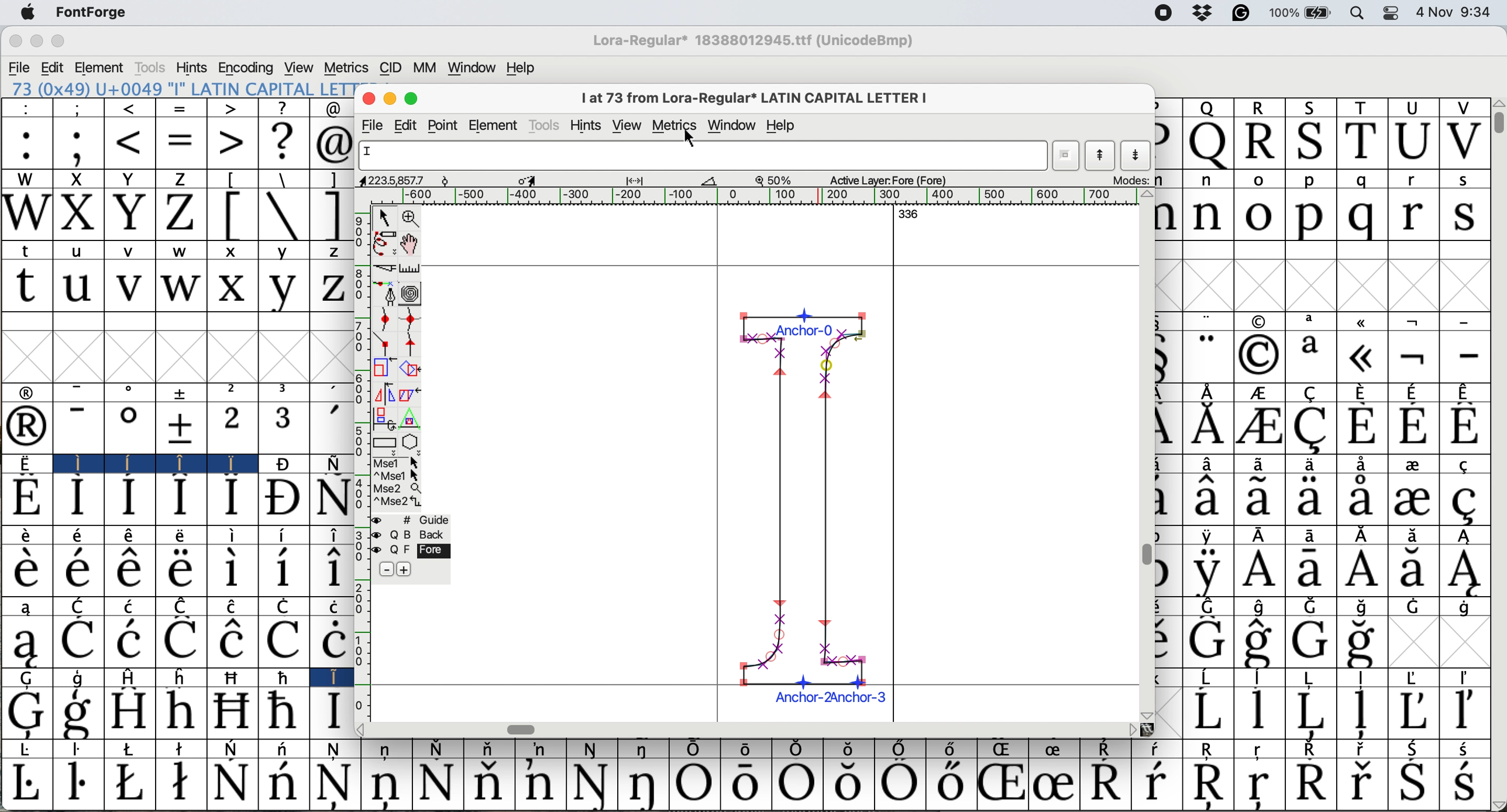 The height and width of the screenshot is (812, 1507). Describe the element at coordinates (1303, 12) in the screenshot. I see `battery 100%` at that location.